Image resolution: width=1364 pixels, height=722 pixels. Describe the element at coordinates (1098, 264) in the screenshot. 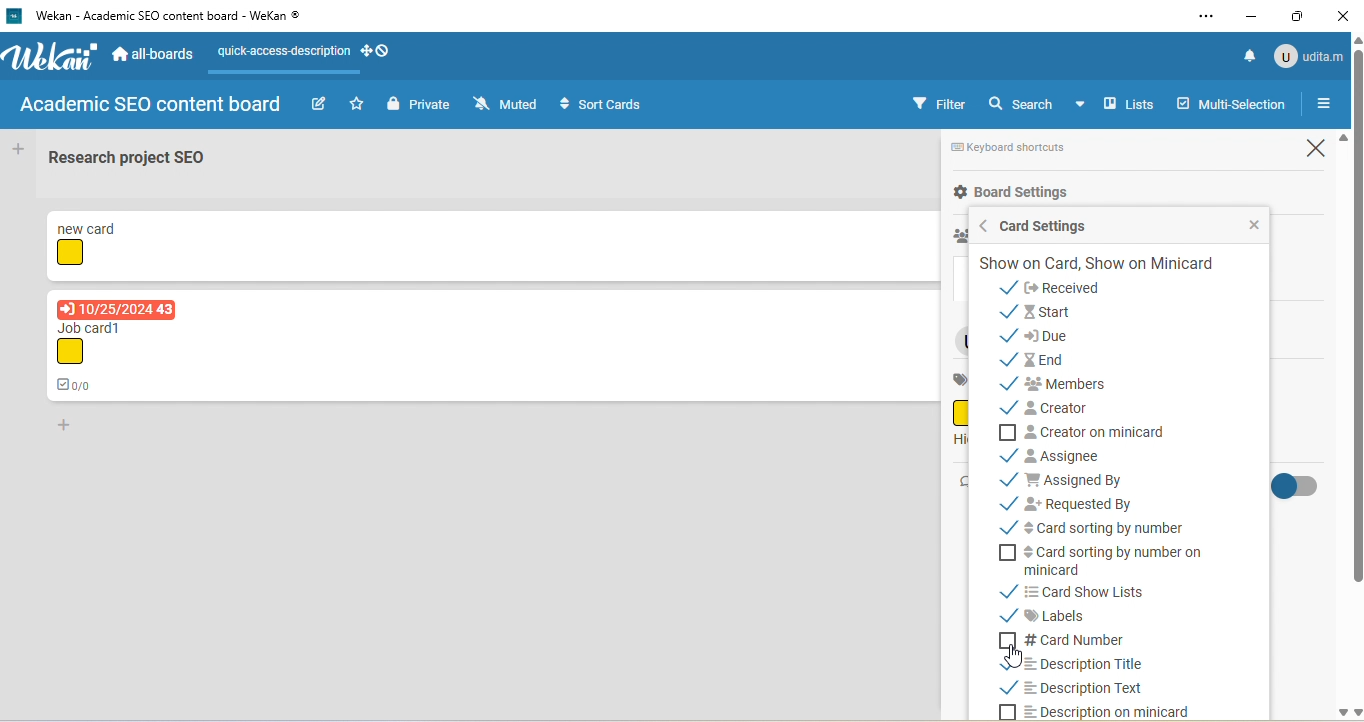

I see `show on card ` at that location.